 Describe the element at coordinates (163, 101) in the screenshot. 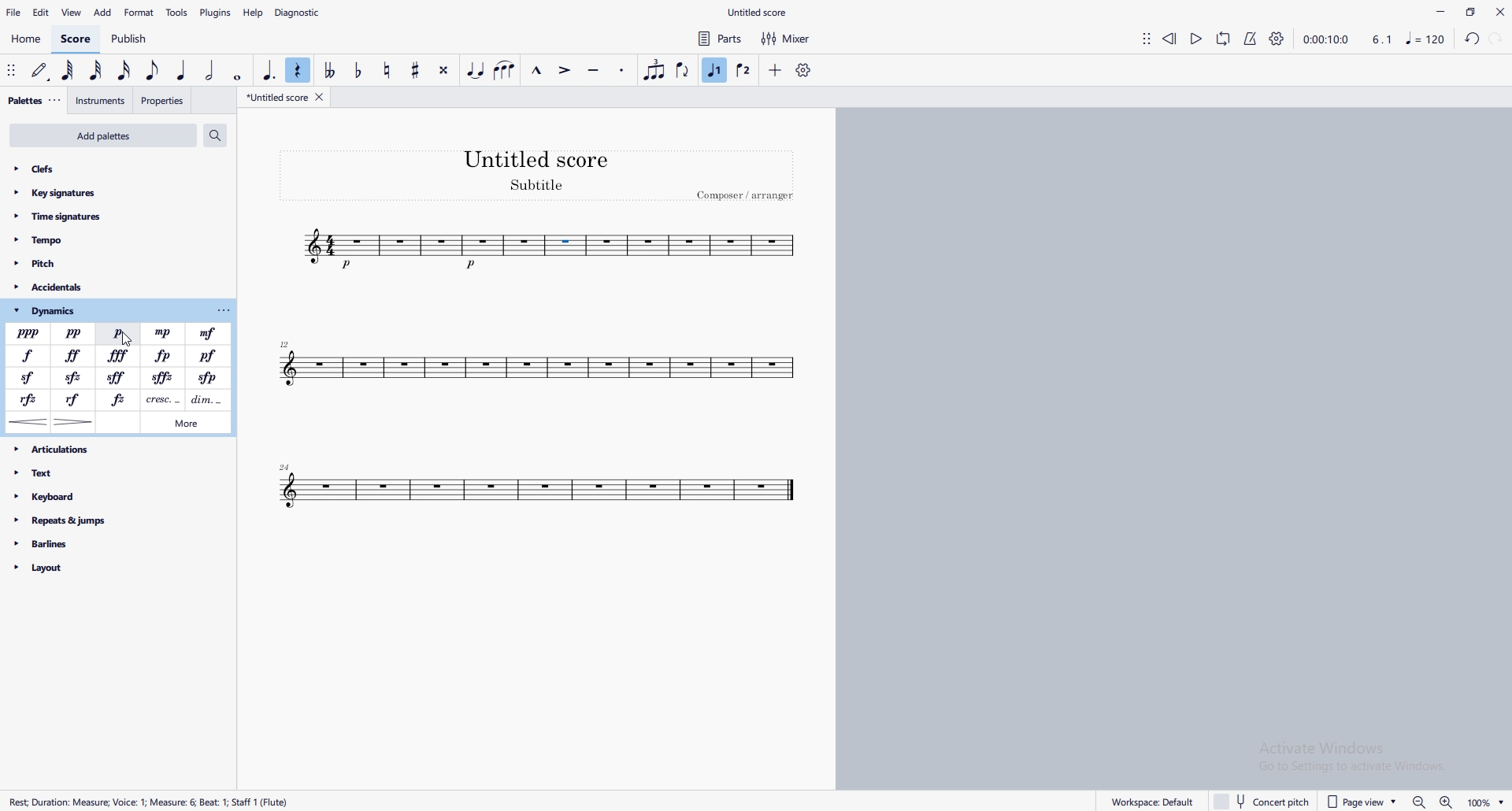

I see `properties` at that location.